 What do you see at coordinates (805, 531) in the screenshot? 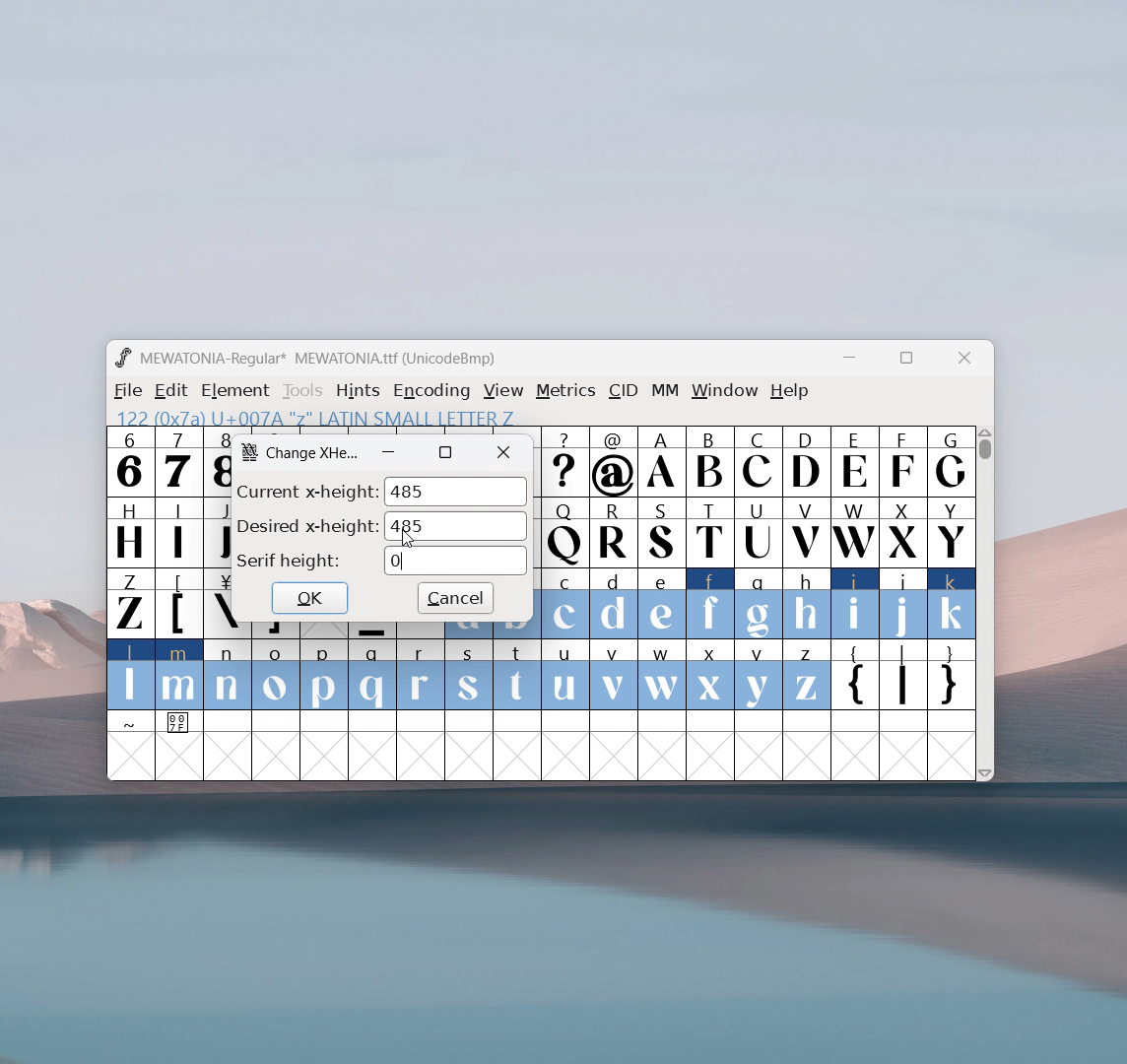
I see `V` at bounding box center [805, 531].